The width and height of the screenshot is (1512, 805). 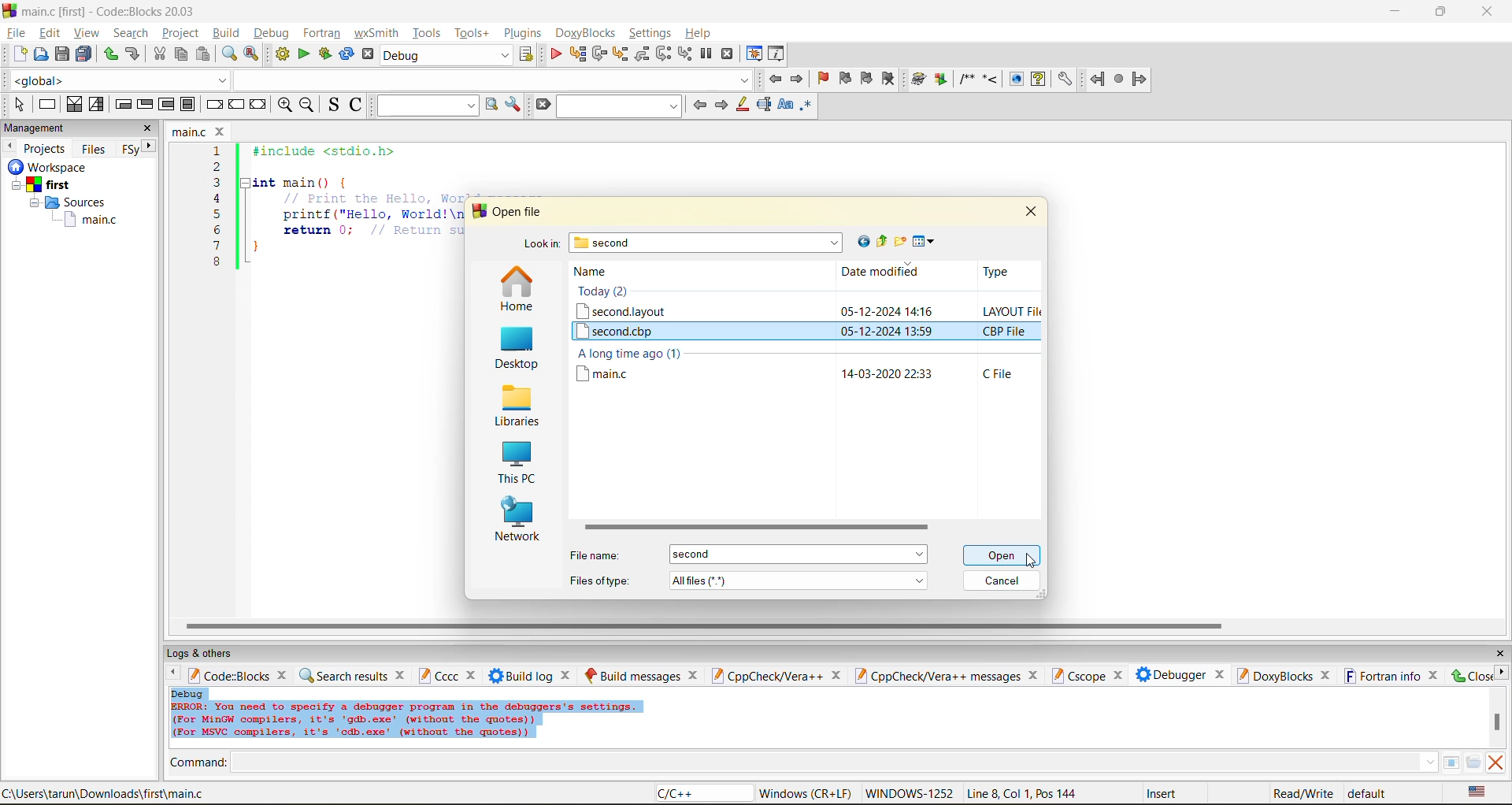 I want to click on tools+, so click(x=472, y=33).